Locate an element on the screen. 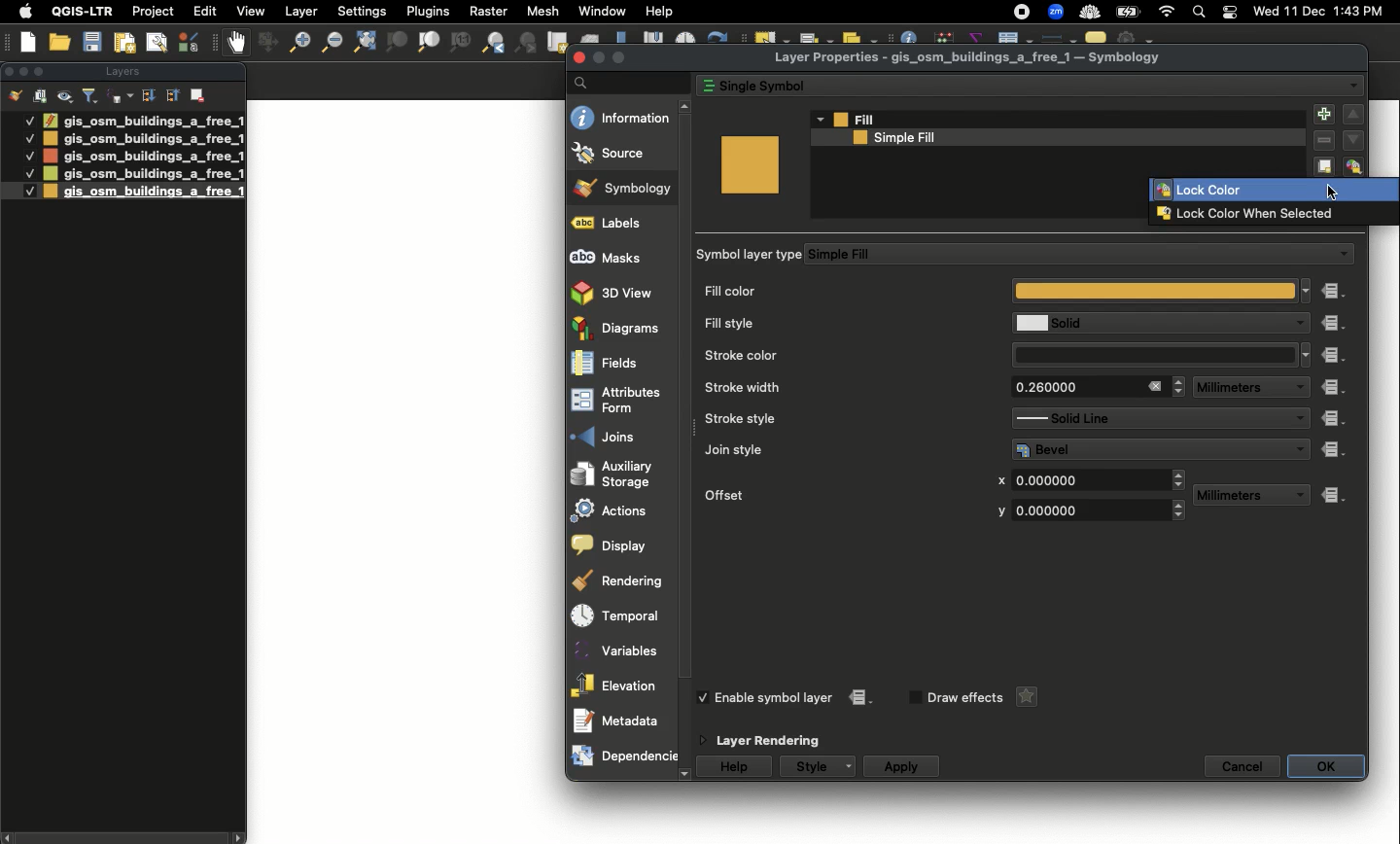  Metadata is located at coordinates (622, 721).